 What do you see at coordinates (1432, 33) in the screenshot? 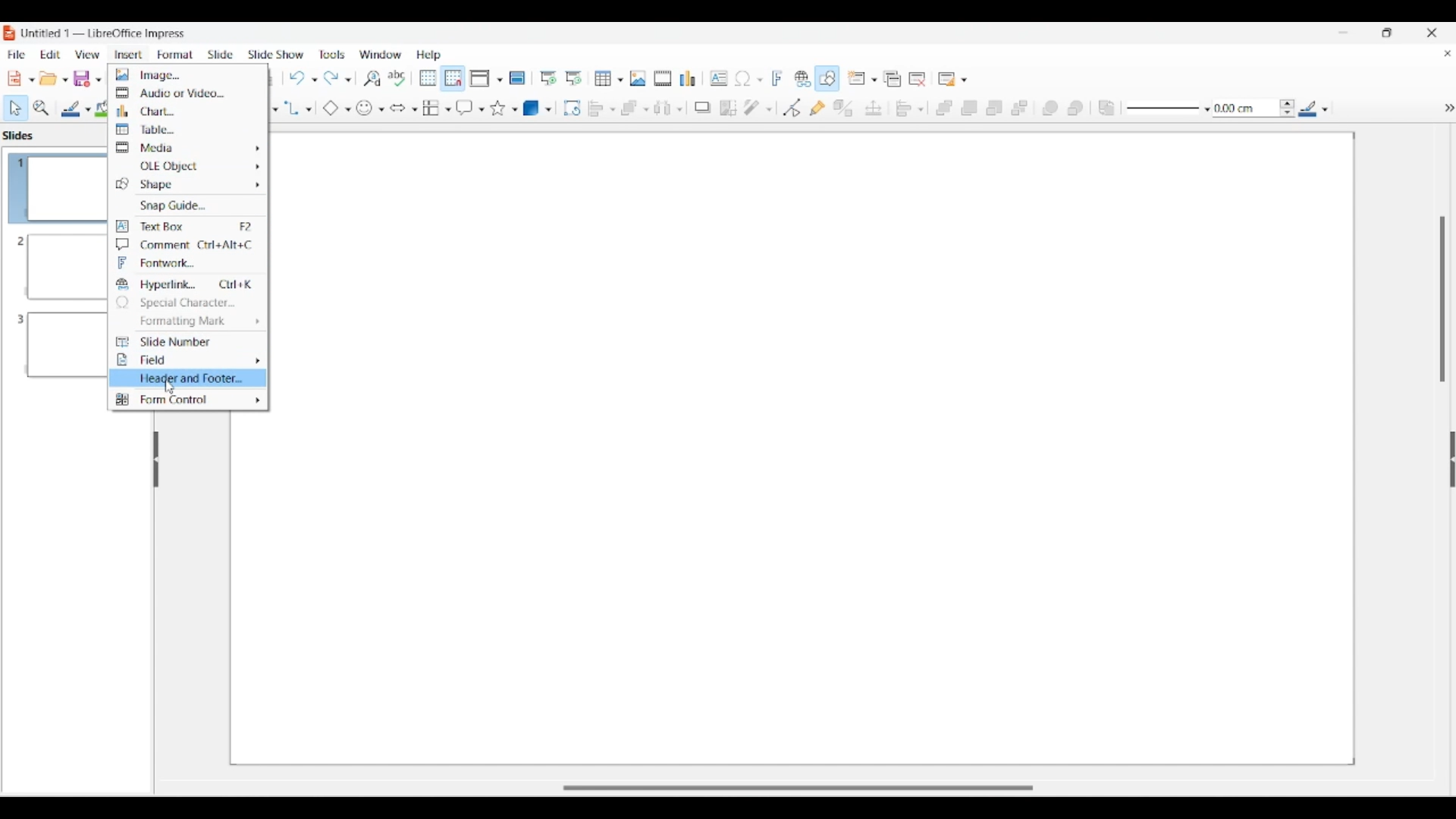
I see `Close interface` at bounding box center [1432, 33].